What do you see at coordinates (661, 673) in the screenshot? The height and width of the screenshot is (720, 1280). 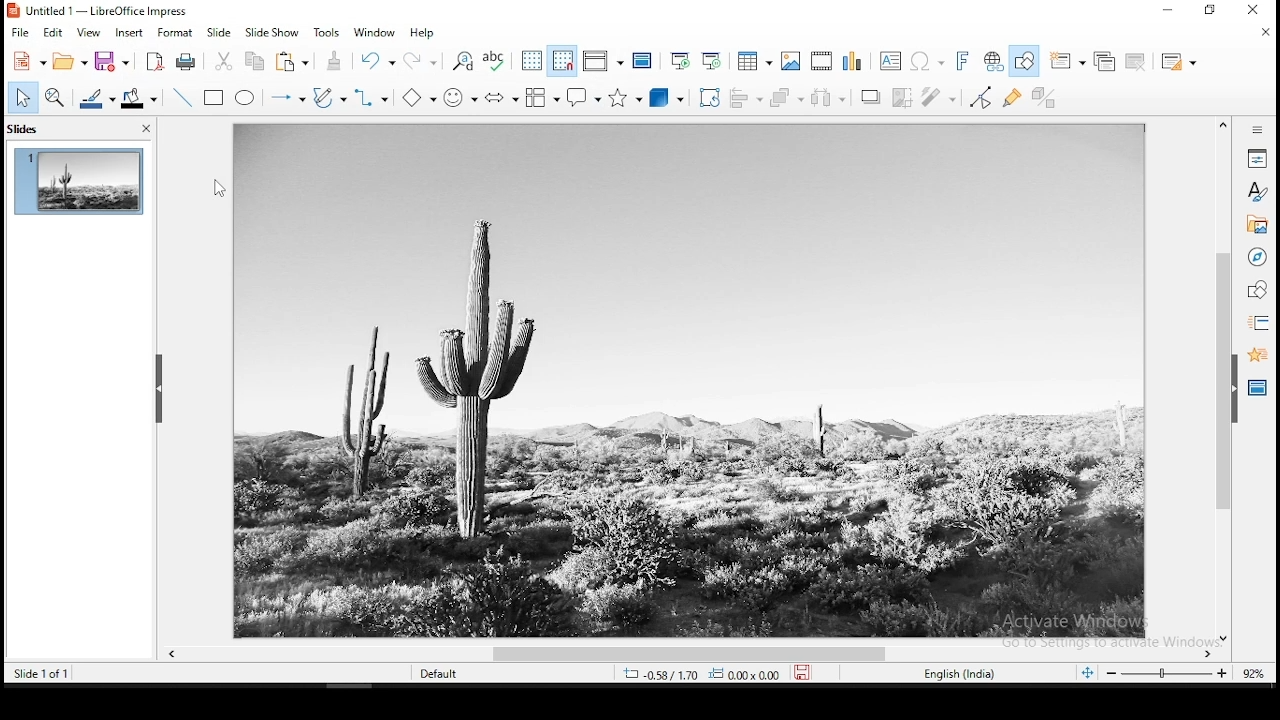 I see `-0.35/-0.26` at bounding box center [661, 673].